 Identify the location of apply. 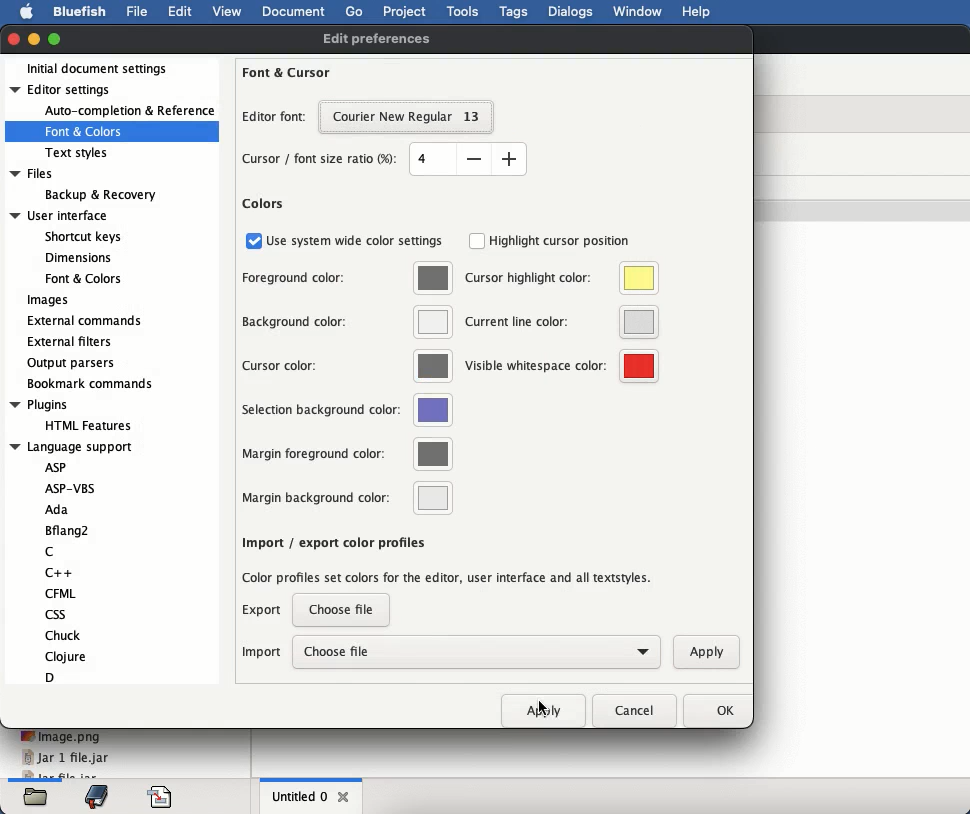
(543, 707).